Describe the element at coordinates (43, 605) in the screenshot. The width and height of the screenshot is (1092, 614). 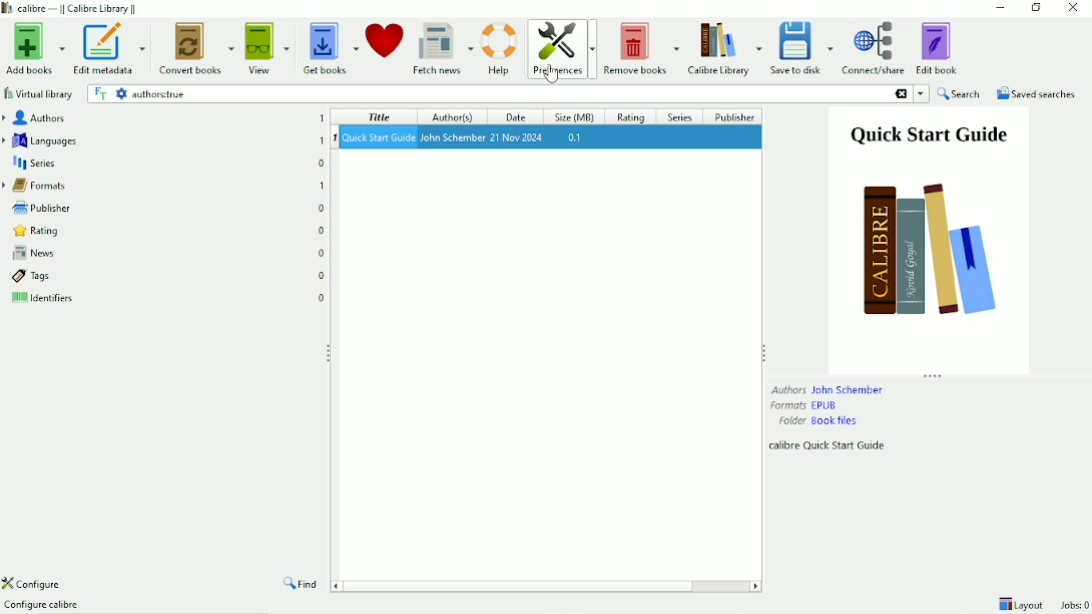
I see `Configure calibre` at that location.